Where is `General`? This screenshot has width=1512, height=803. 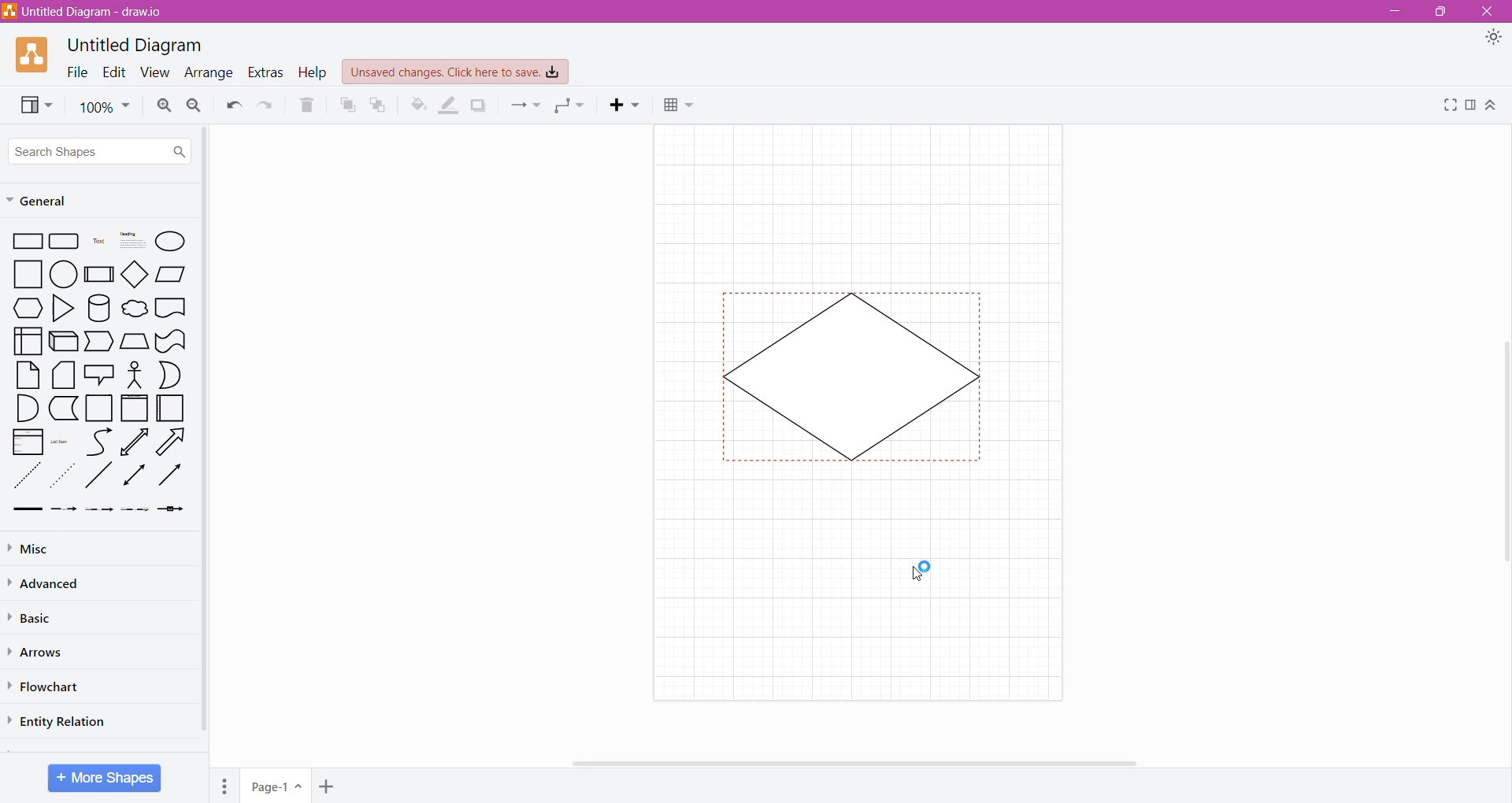
General is located at coordinates (83, 200).